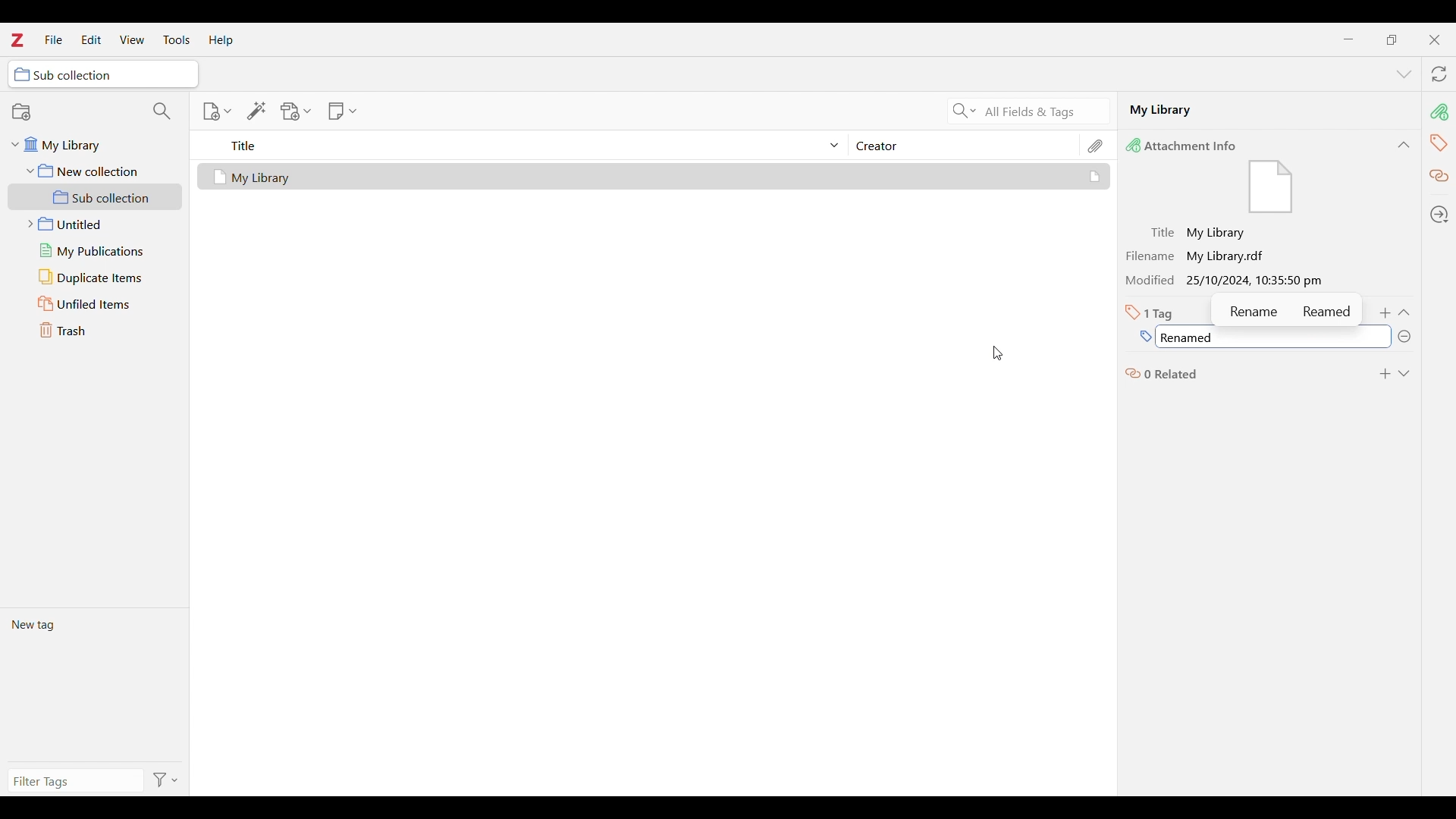  Describe the element at coordinates (93, 143) in the screenshot. I see `My library folder` at that location.